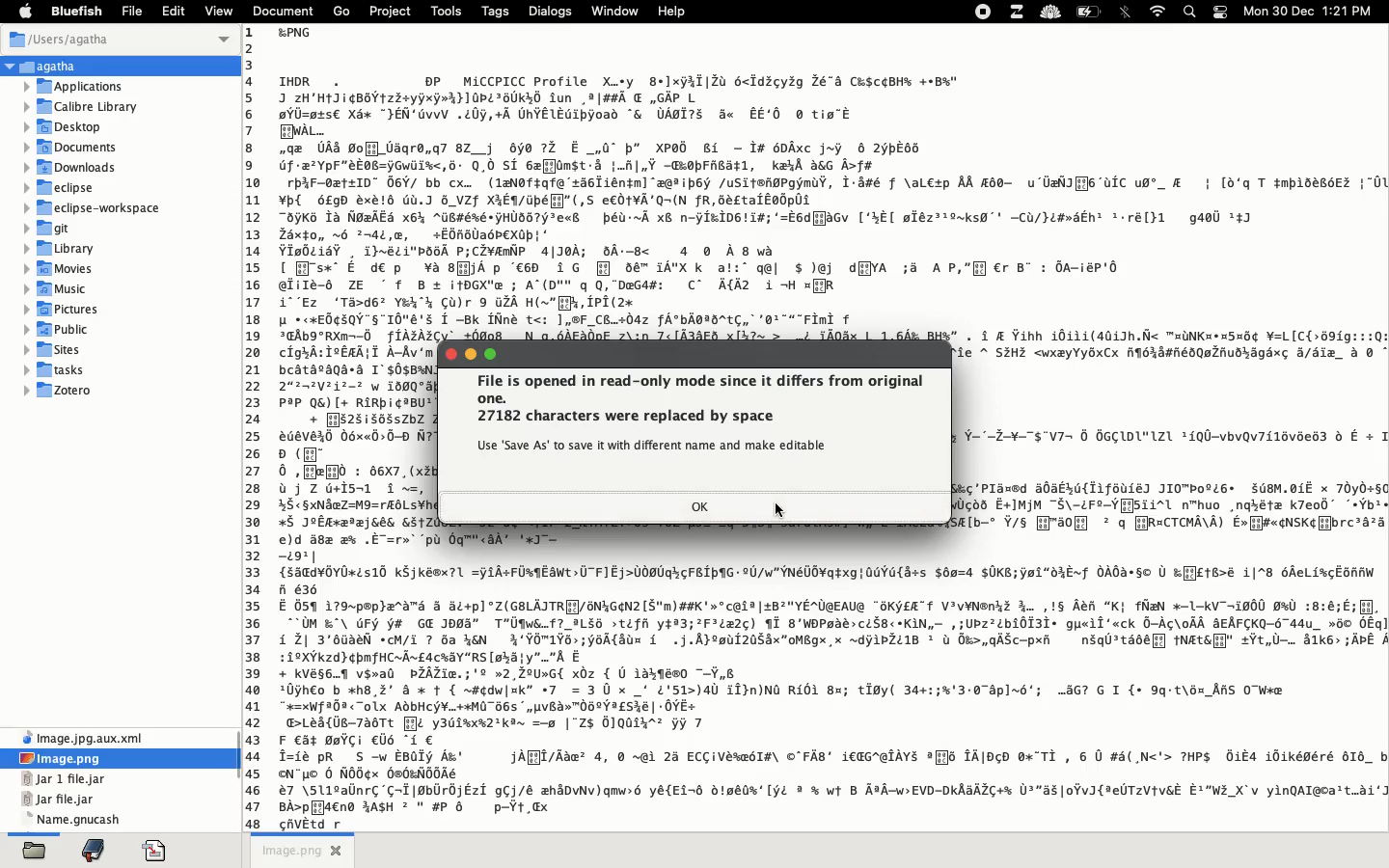 This screenshot has height=868, width=1389. Describe the element at coordinates (92, 207) in the screenshot. I see `eclipse workspace` at that location.